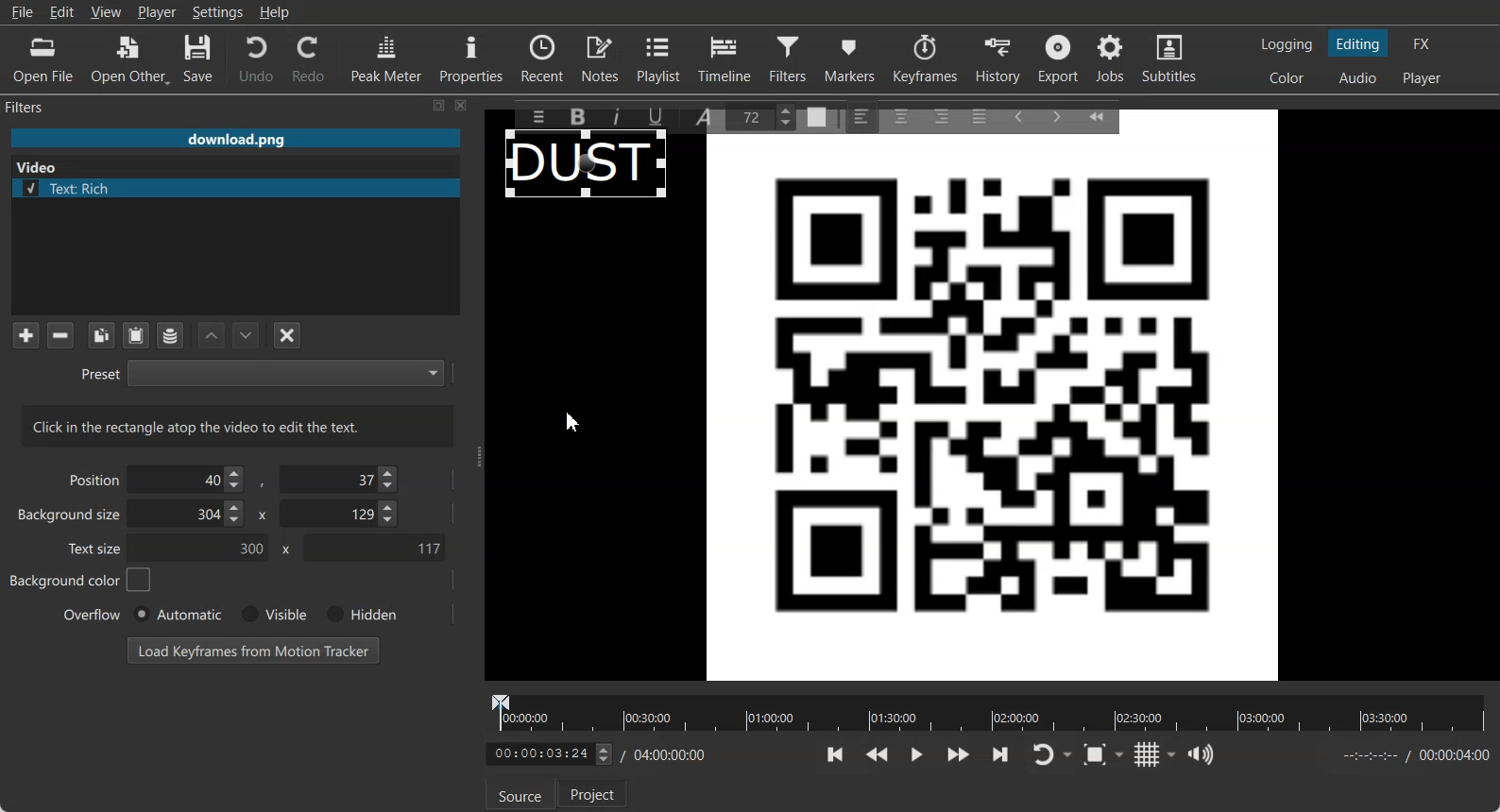  What do you see at coordinates (43, 106) in the screenshot?
I see `Filters` at bounding box center [43, 106].